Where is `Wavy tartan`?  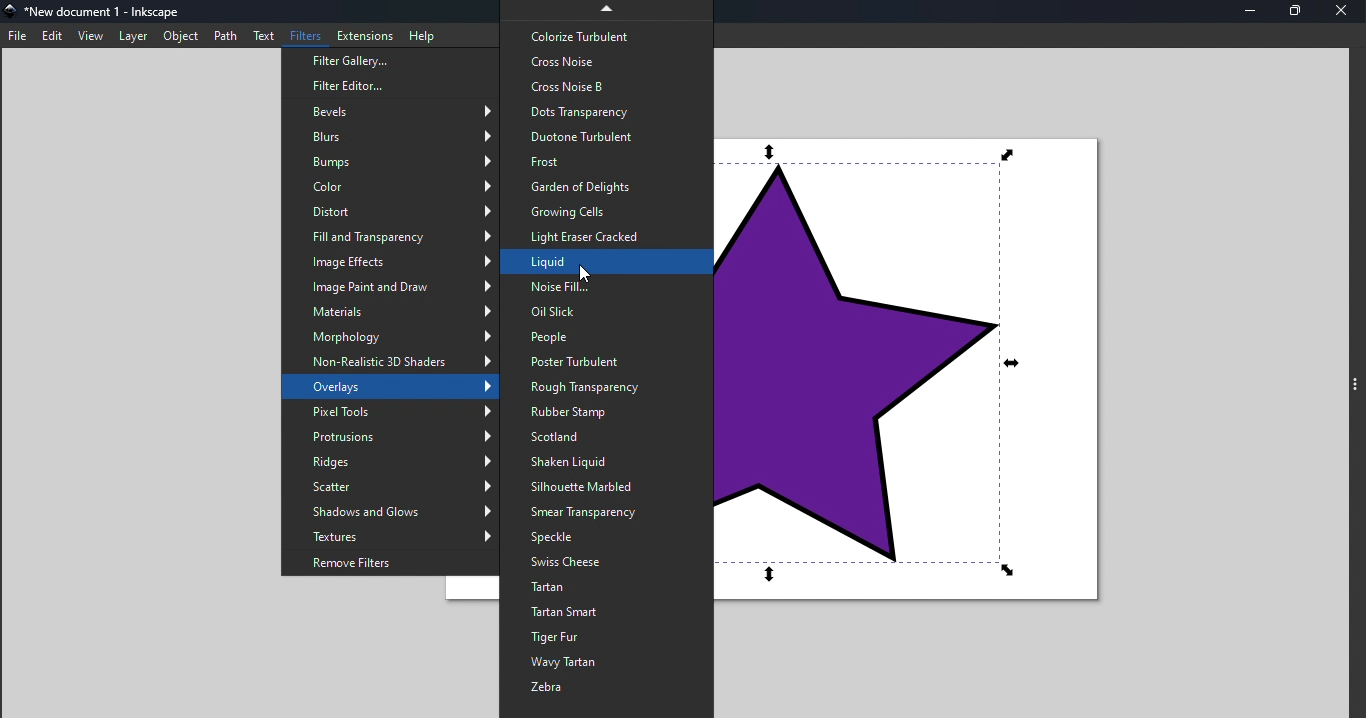
Wavy tartan is located at coordinates (607, 664).